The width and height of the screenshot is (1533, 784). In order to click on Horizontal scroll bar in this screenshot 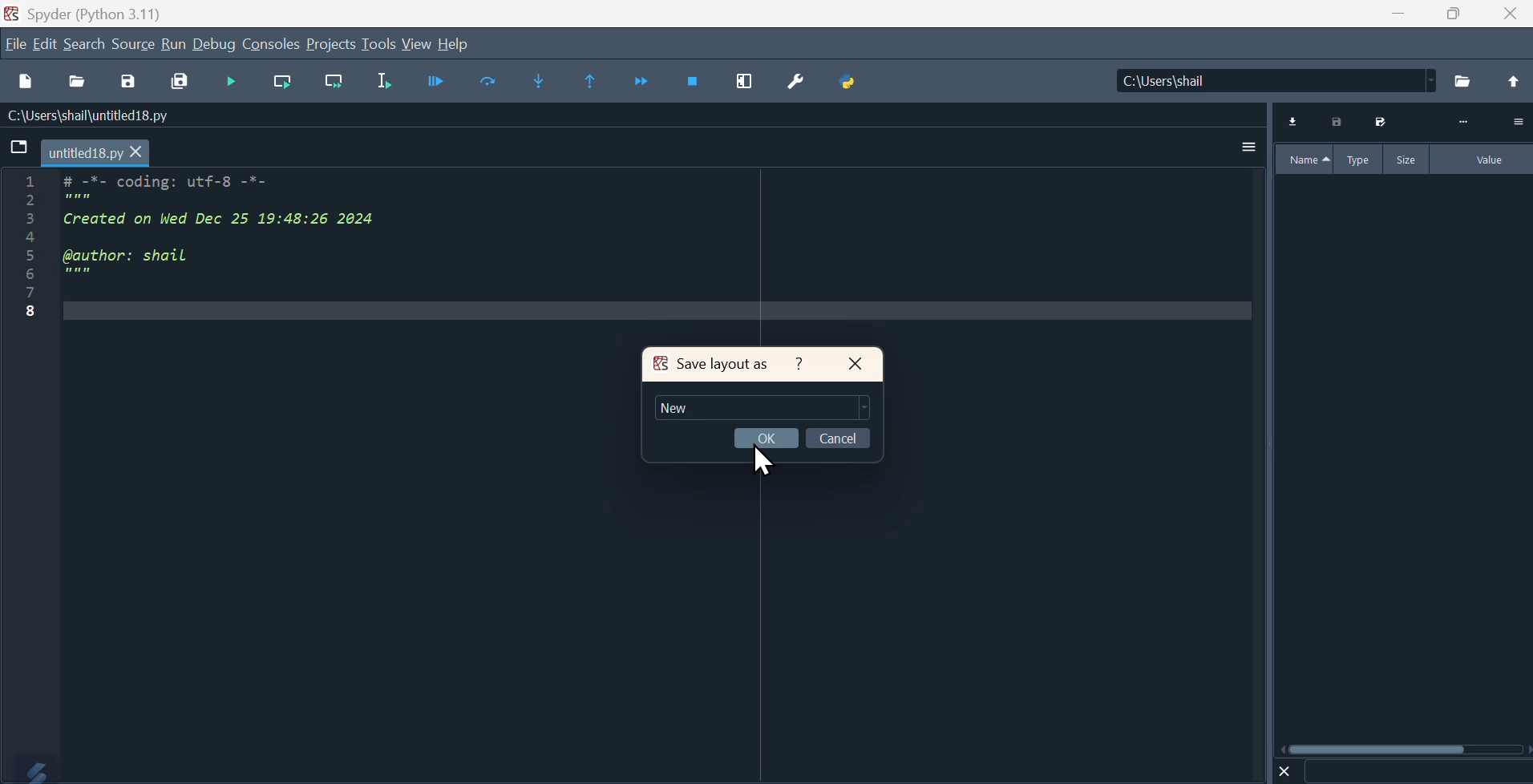, I will do `click(1406, 749)`.